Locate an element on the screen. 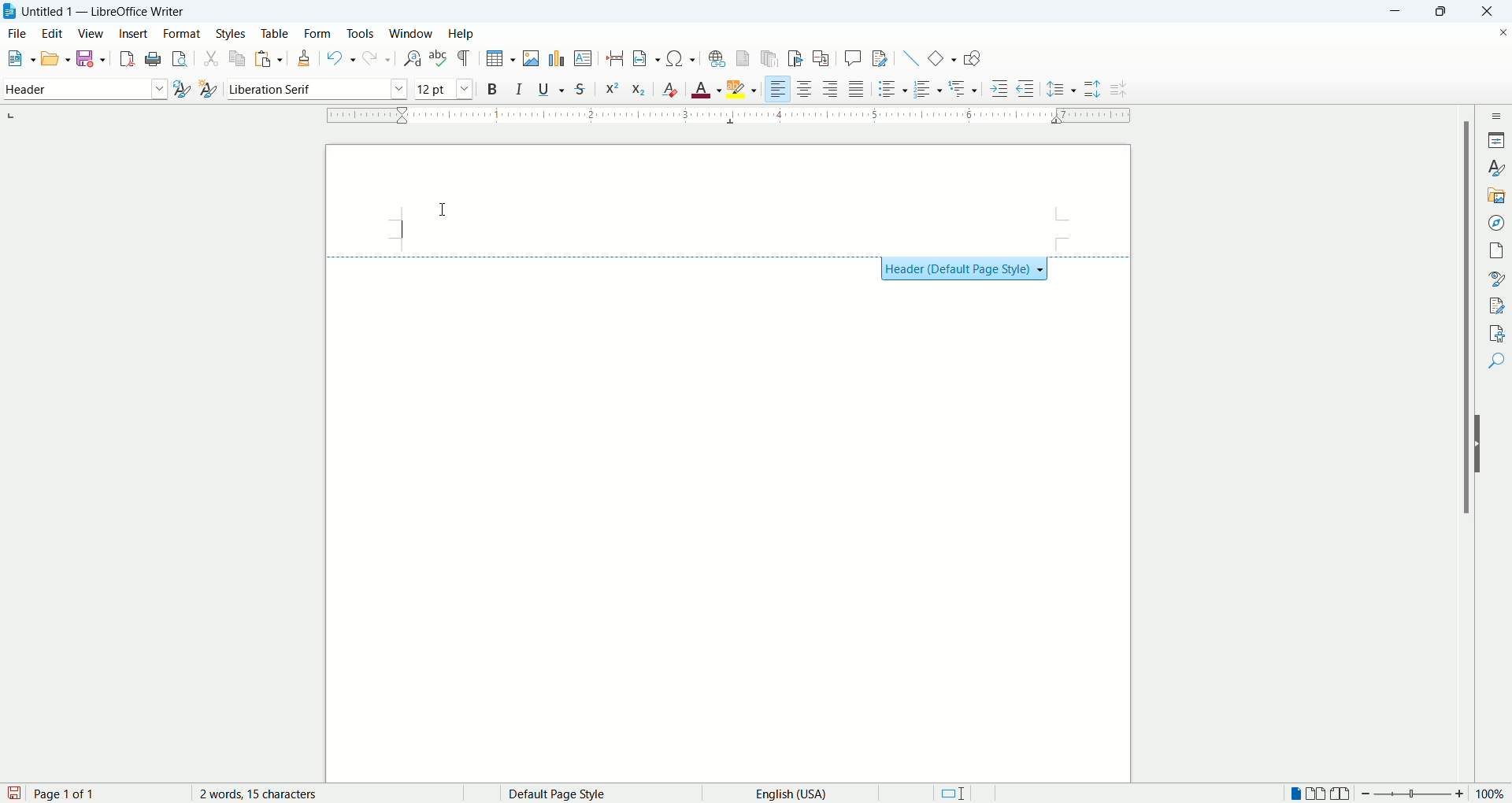 The height and width of the screenshot is (803, 1512). manage changes is located at coordinates (1496, 305).